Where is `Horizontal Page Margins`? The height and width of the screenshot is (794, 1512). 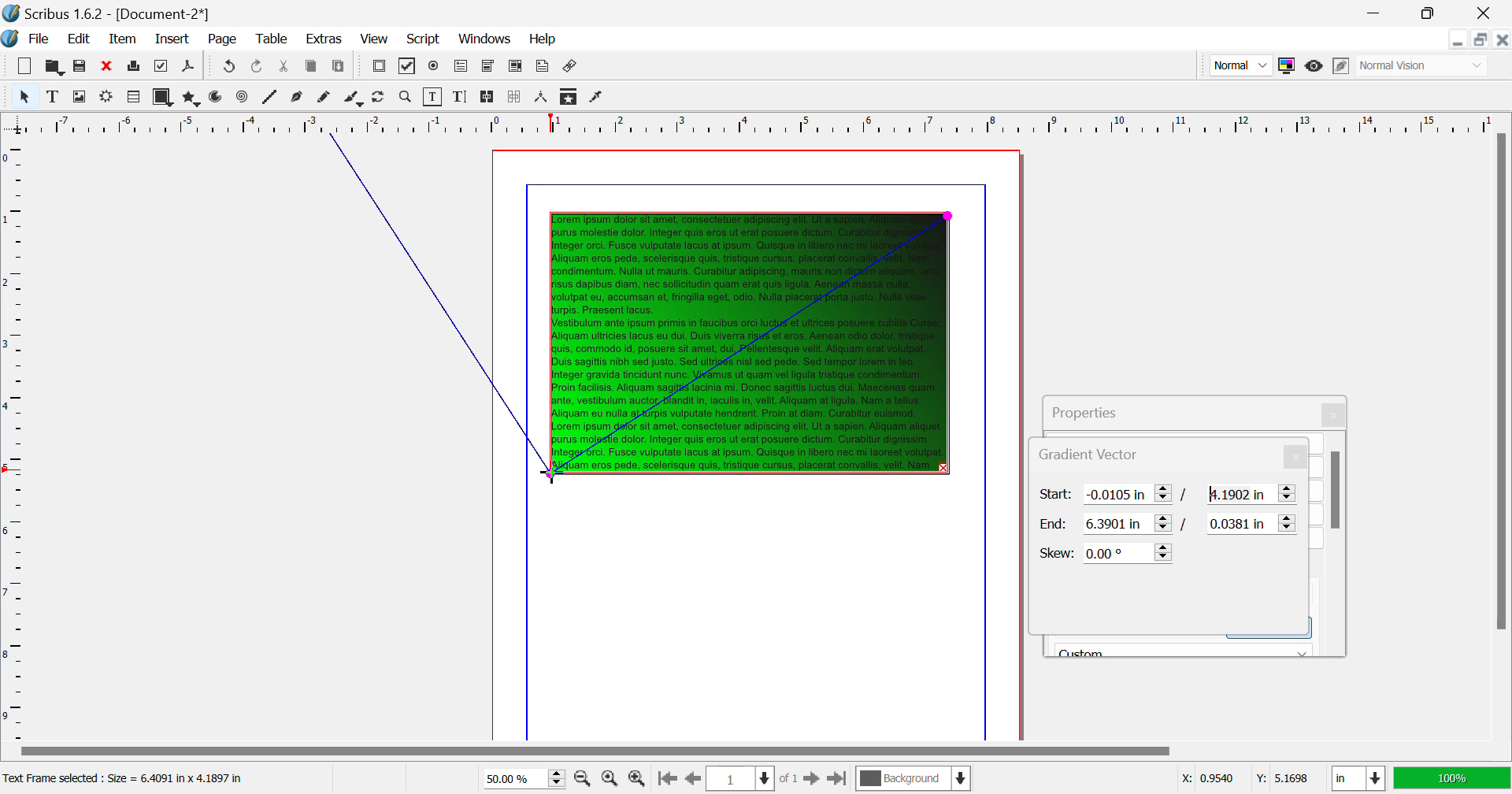 Horizontal Page Margins is located at coordinates (15, 439).